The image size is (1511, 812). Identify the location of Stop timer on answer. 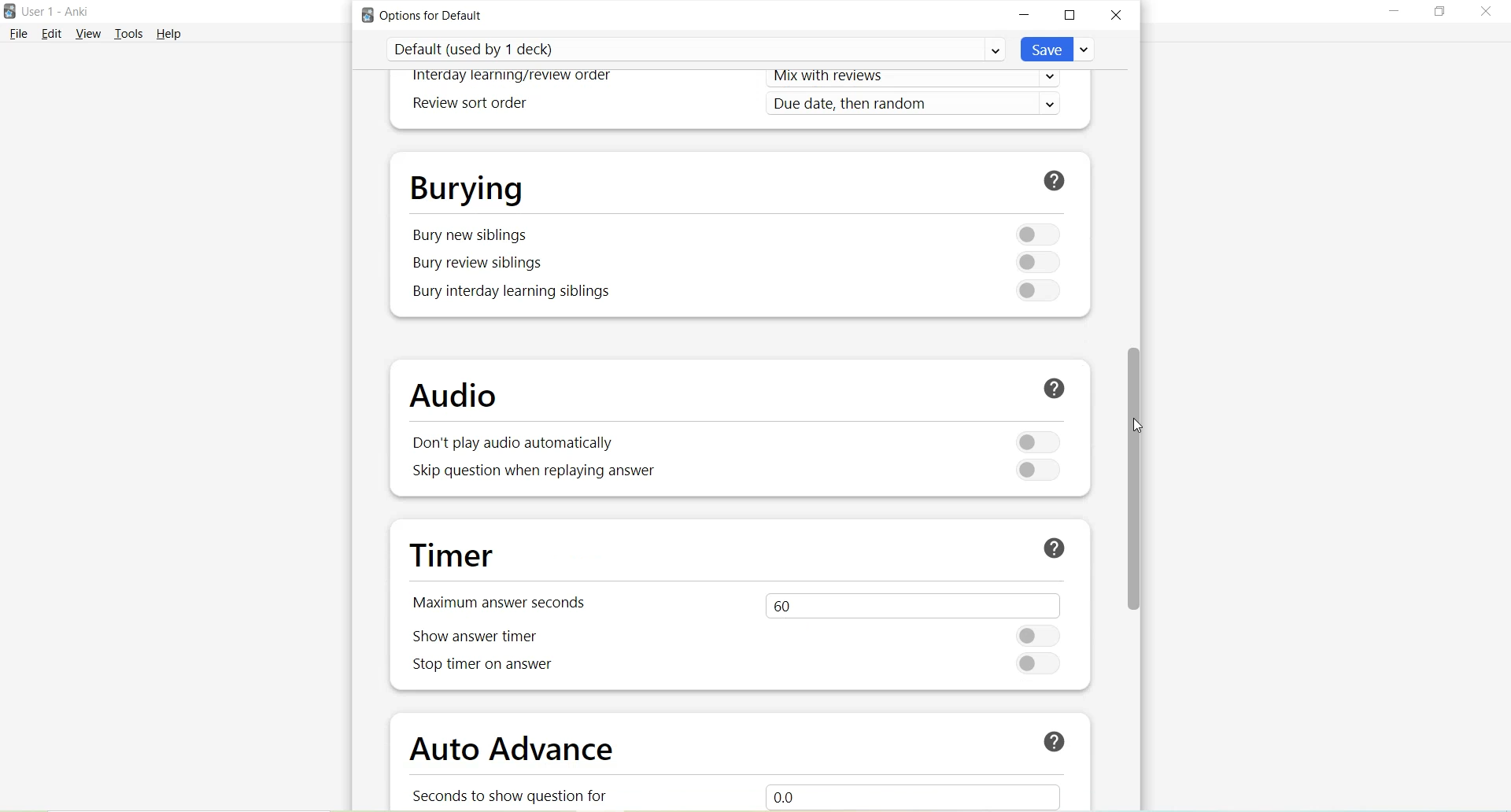
(482, 668).